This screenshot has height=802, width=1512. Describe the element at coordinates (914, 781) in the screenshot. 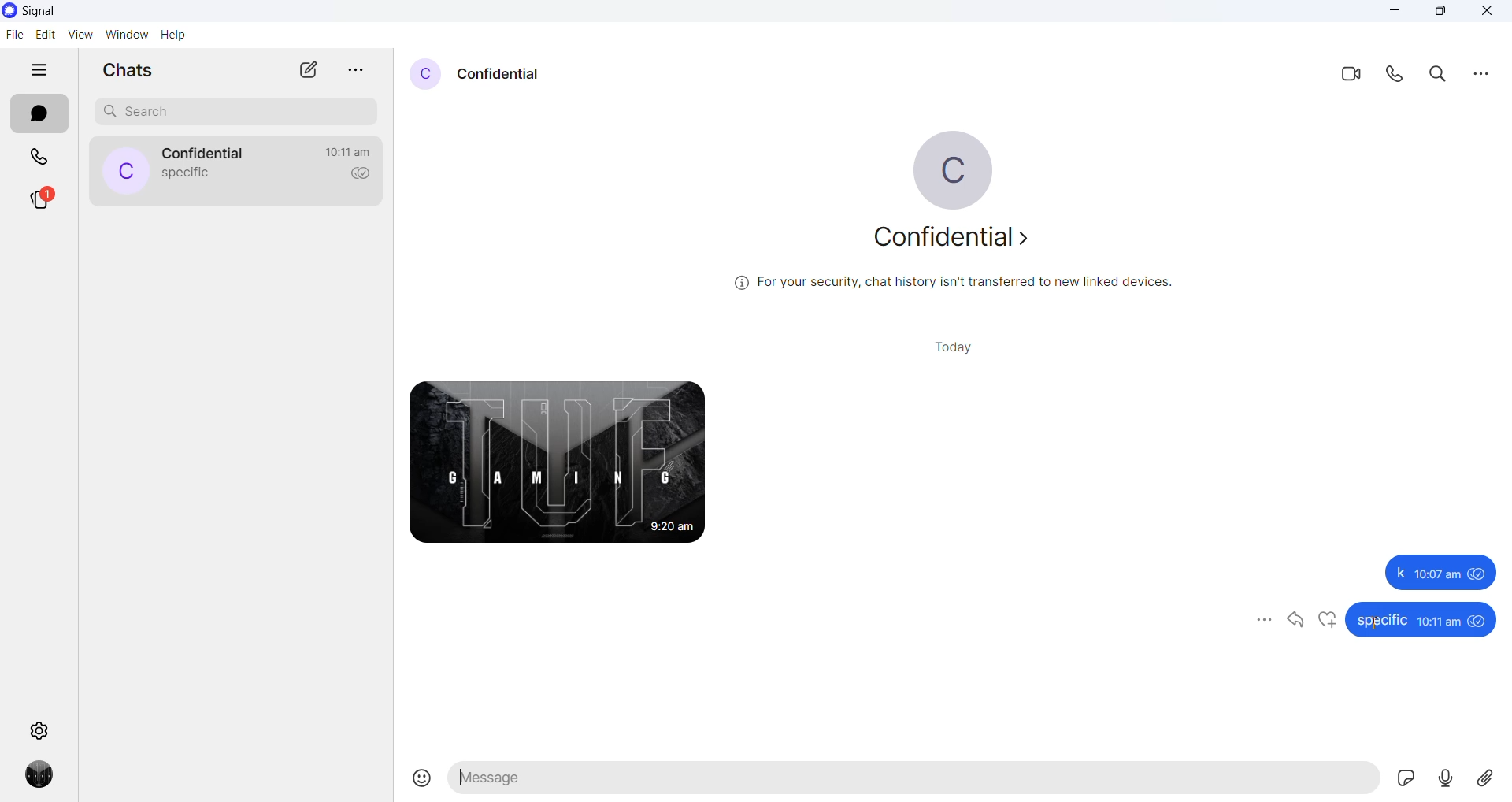

I see `message text area` at that location.